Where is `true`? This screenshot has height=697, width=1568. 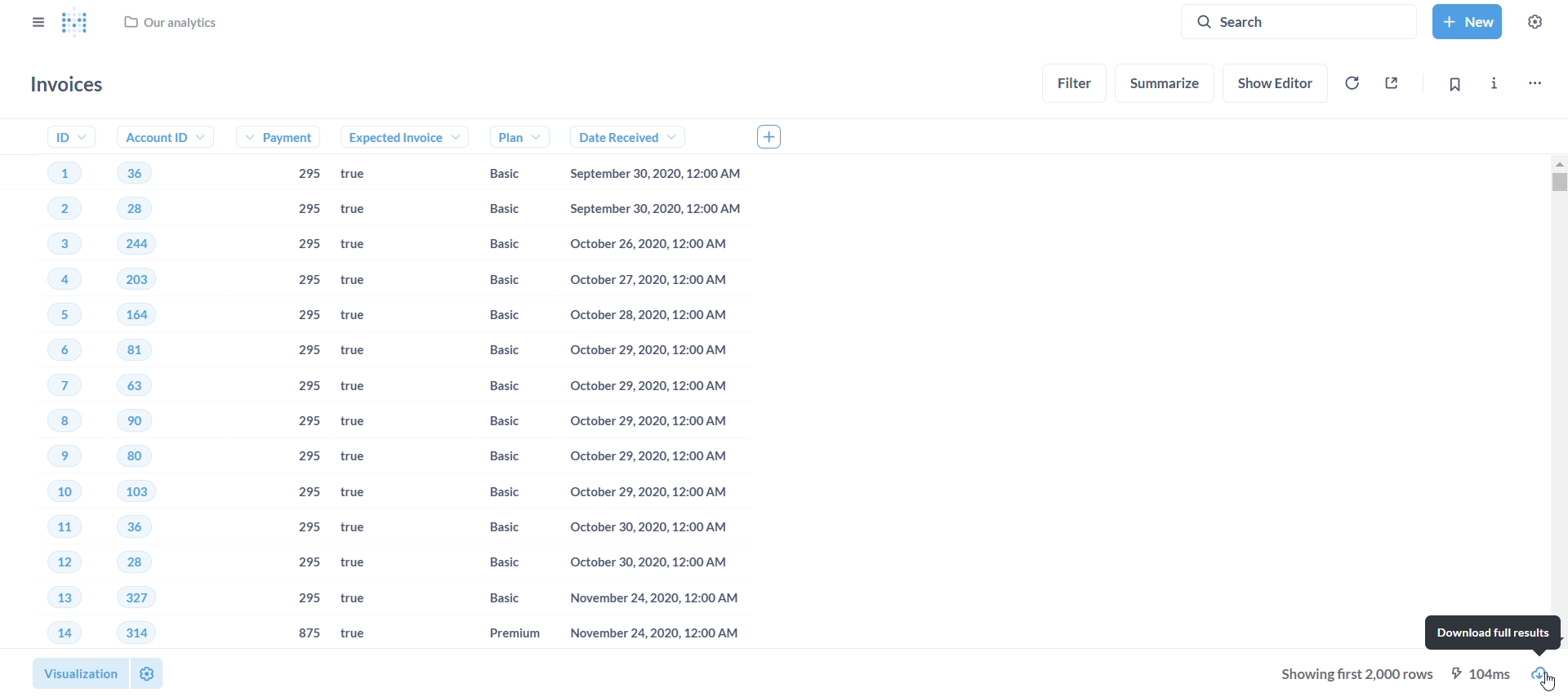 true is located at coordinates (360, 496).